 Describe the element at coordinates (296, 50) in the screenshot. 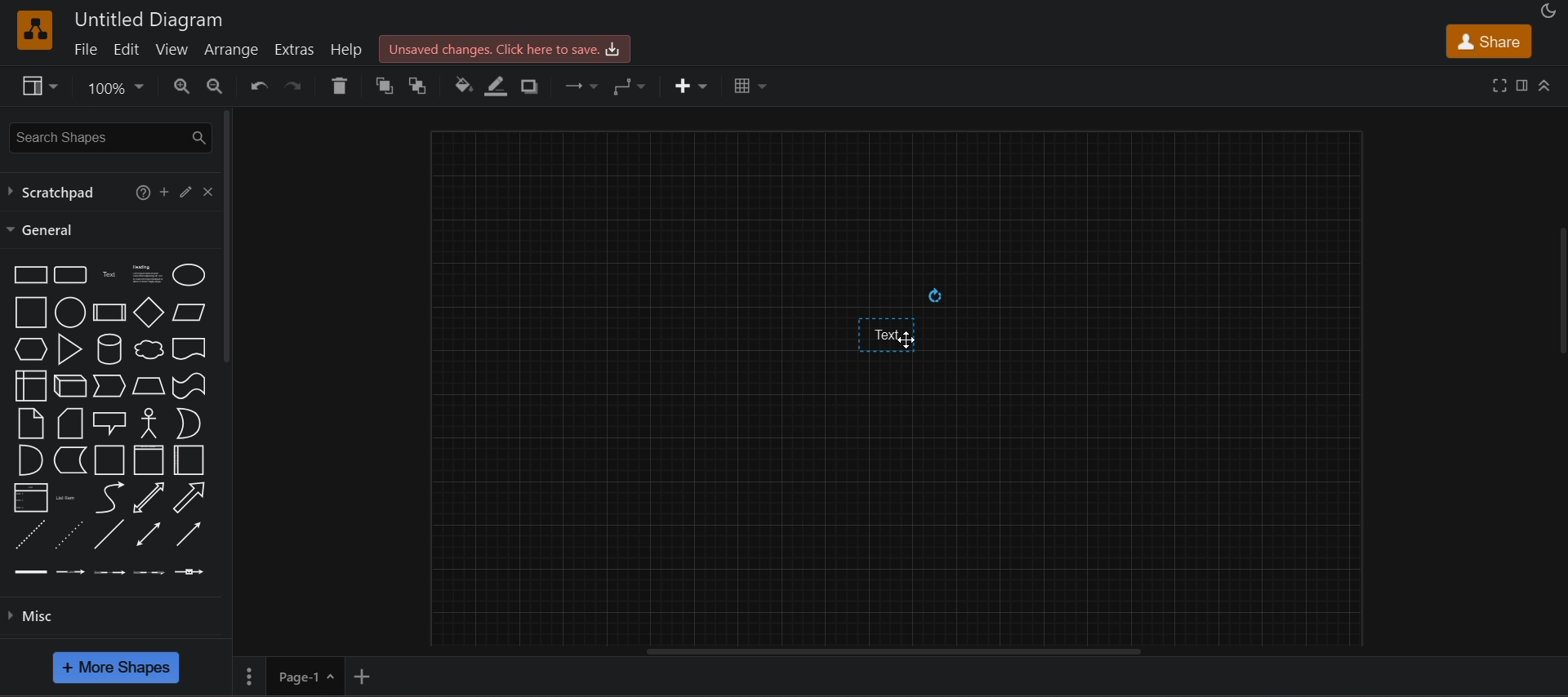

I see `extras` at that location.